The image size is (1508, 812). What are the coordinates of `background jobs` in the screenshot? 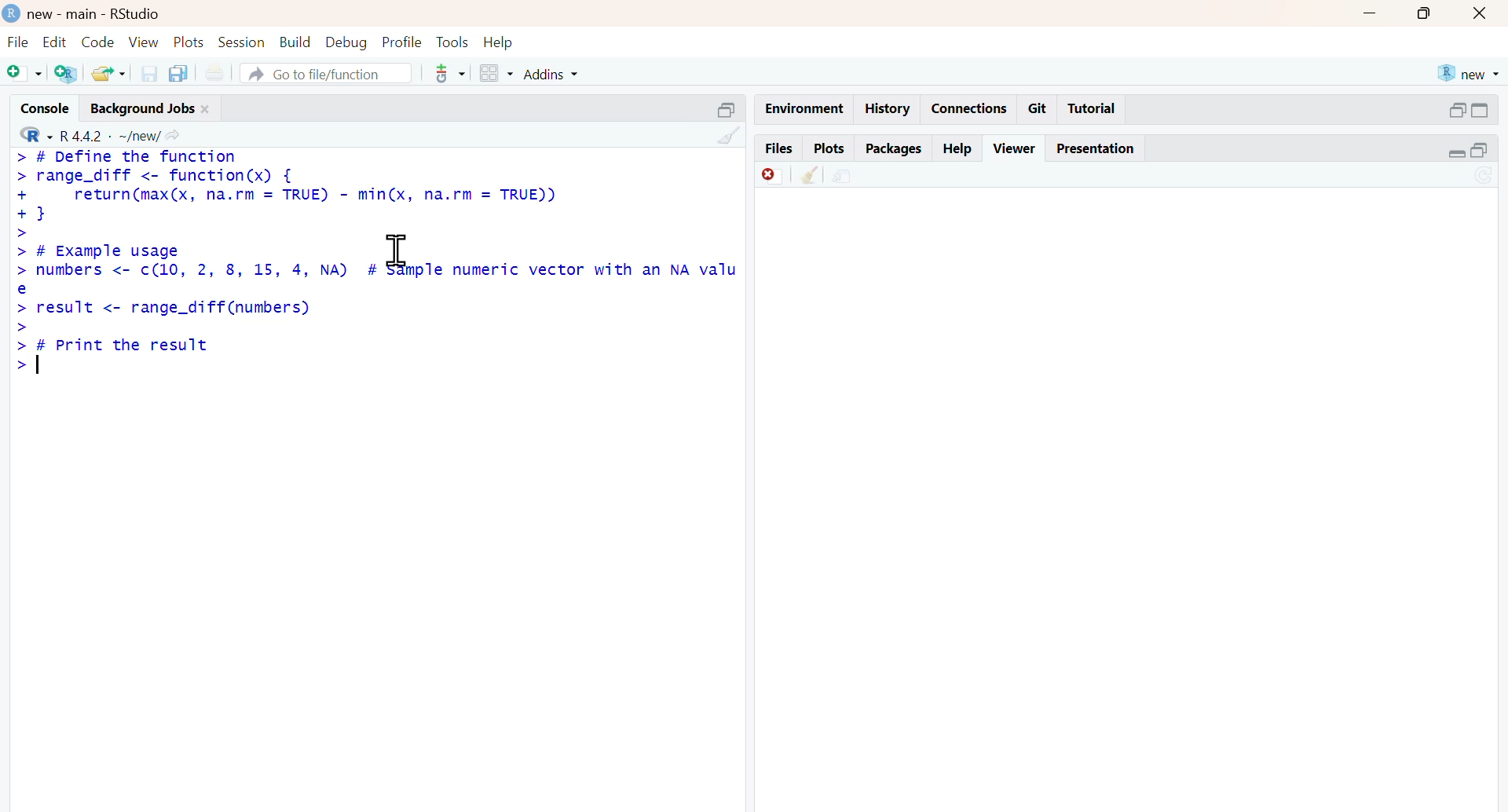 It's located at (143, 111).